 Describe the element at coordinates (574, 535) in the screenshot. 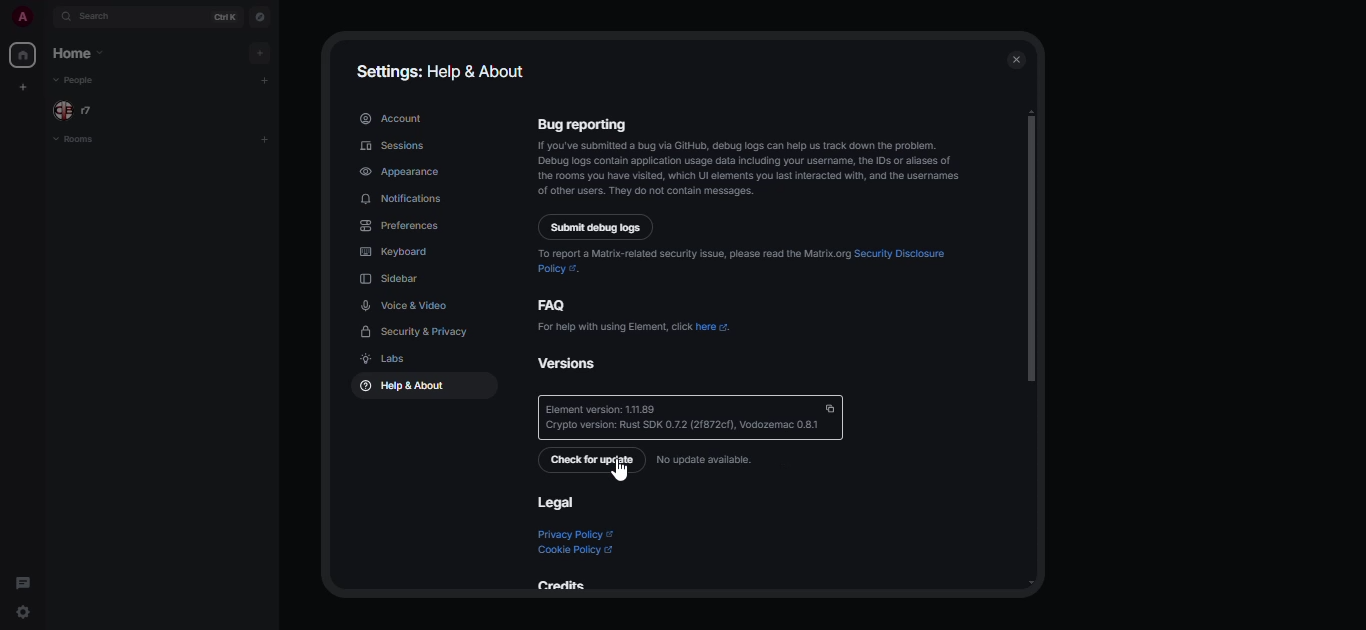

I see `privacy policy` at that location.